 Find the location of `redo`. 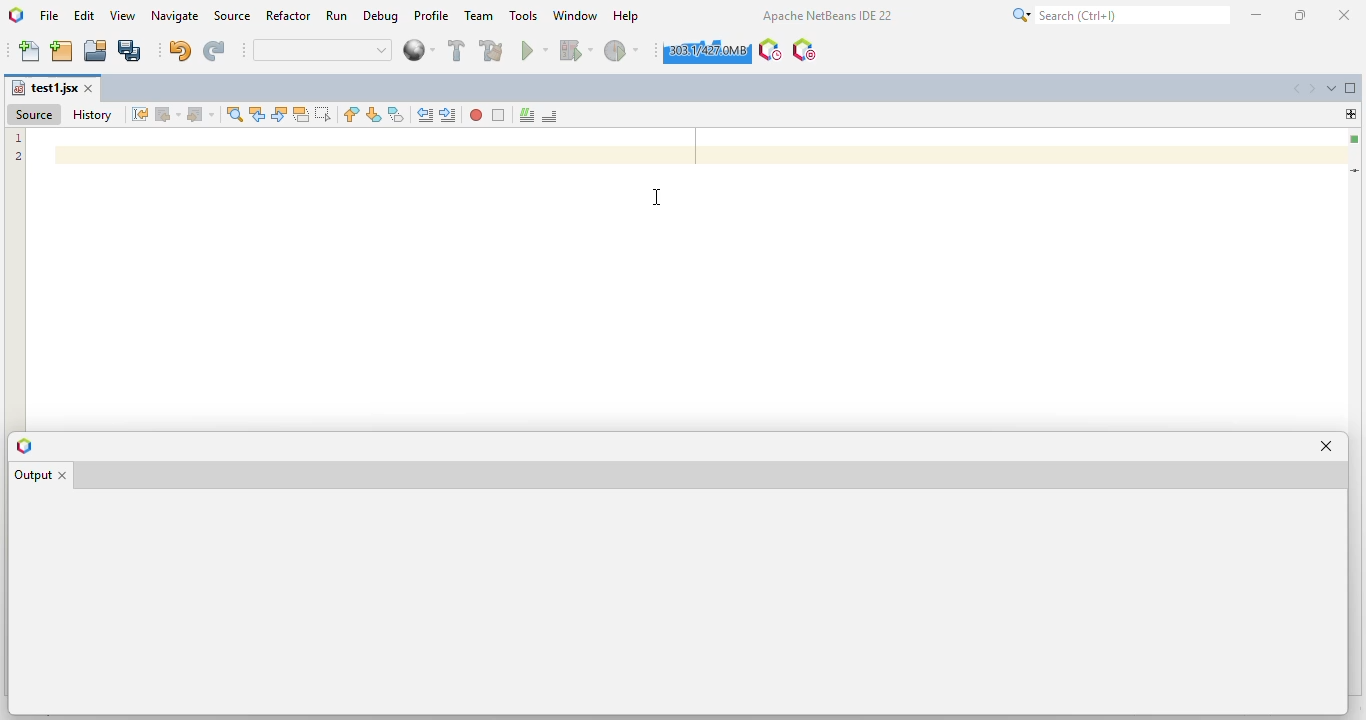

redo is located at coordinates (215, 51).